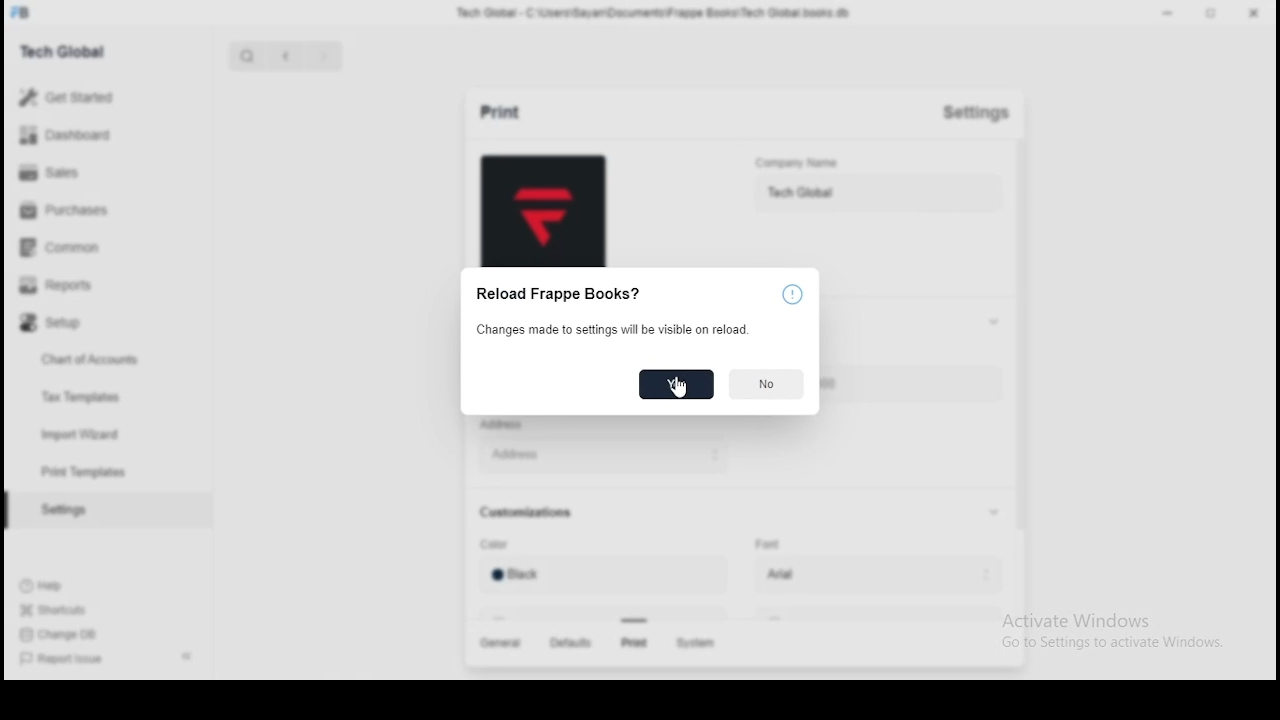 The image size is (1280, 720). I want to click on Font, so click(768, 544).